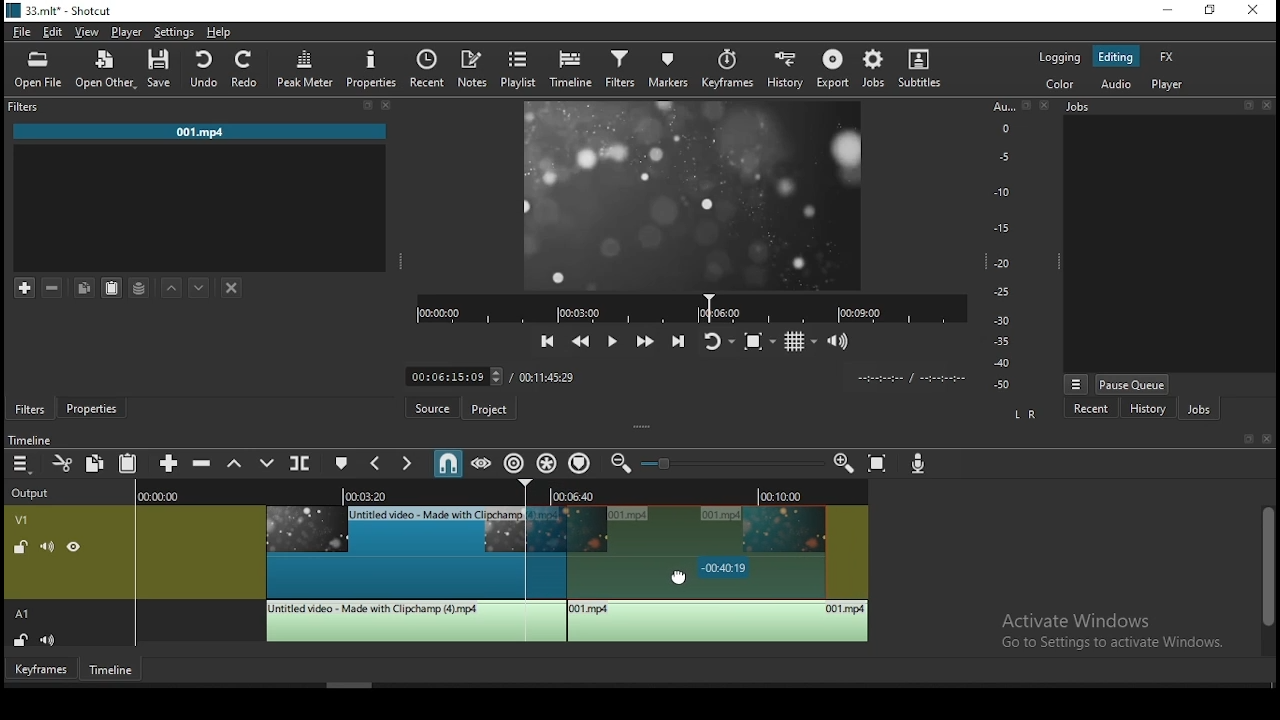 This screenshot has width=1280, height=720. What do you see at coordinates (33, 436) in the screenshot?
I see `timeline` at bounding box center [33, 436].